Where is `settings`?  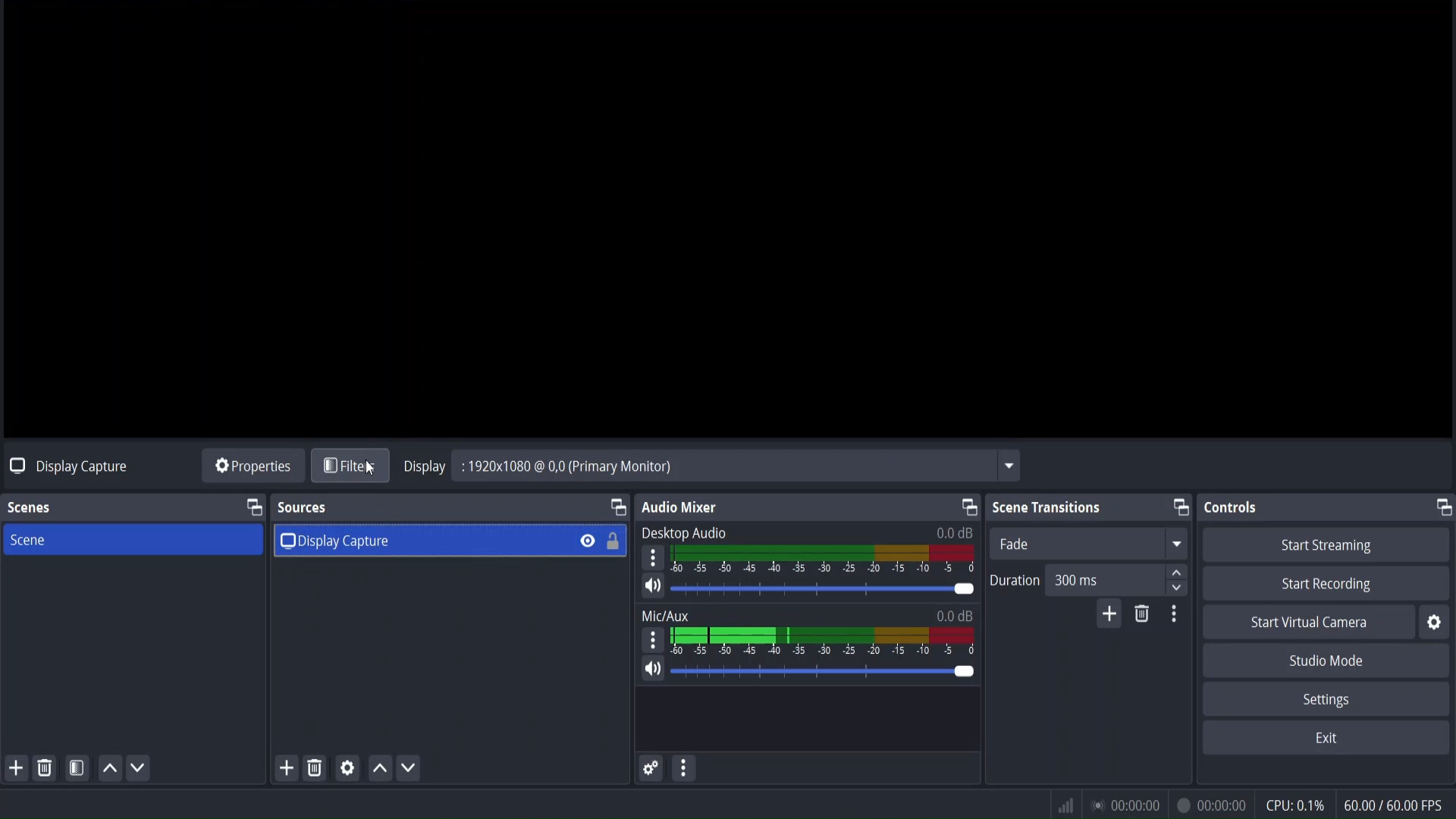
settings is located at coordinates (1434, 623).